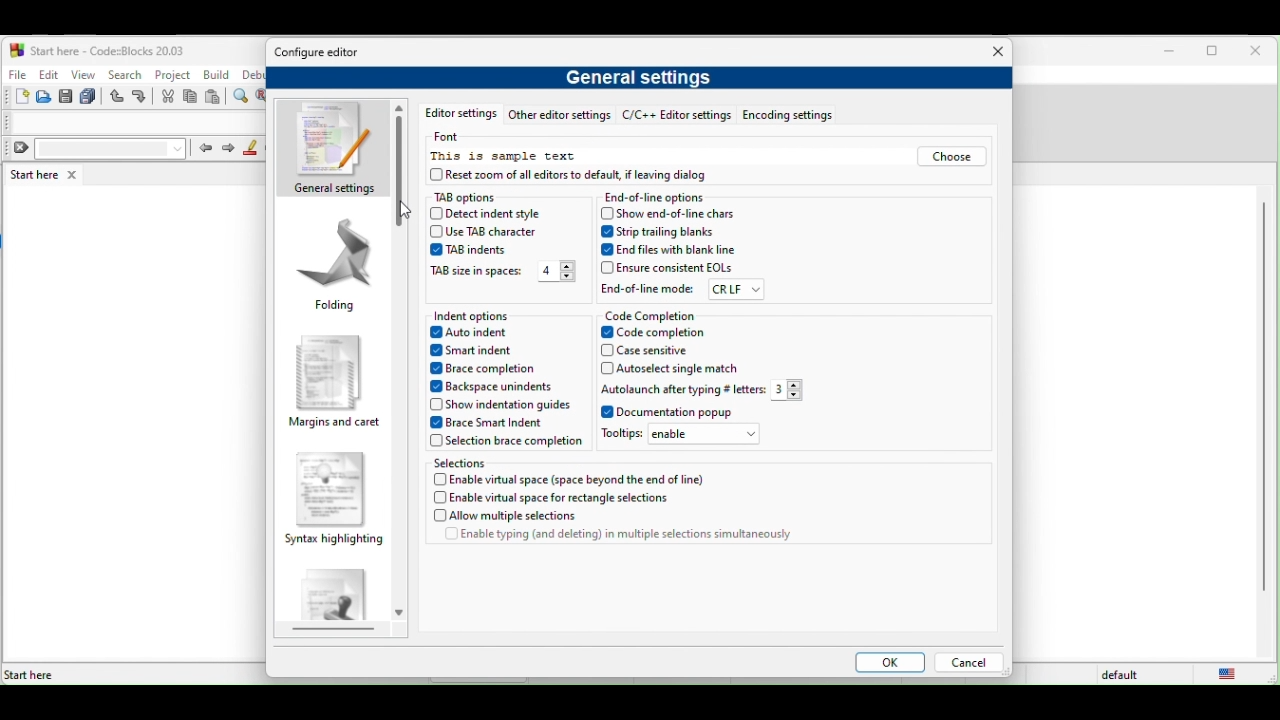 The image size is (1280, 720). What do you see at coordinates (333, 597) in the screenshot?
I see `default code` at bounding box center [333, 597].